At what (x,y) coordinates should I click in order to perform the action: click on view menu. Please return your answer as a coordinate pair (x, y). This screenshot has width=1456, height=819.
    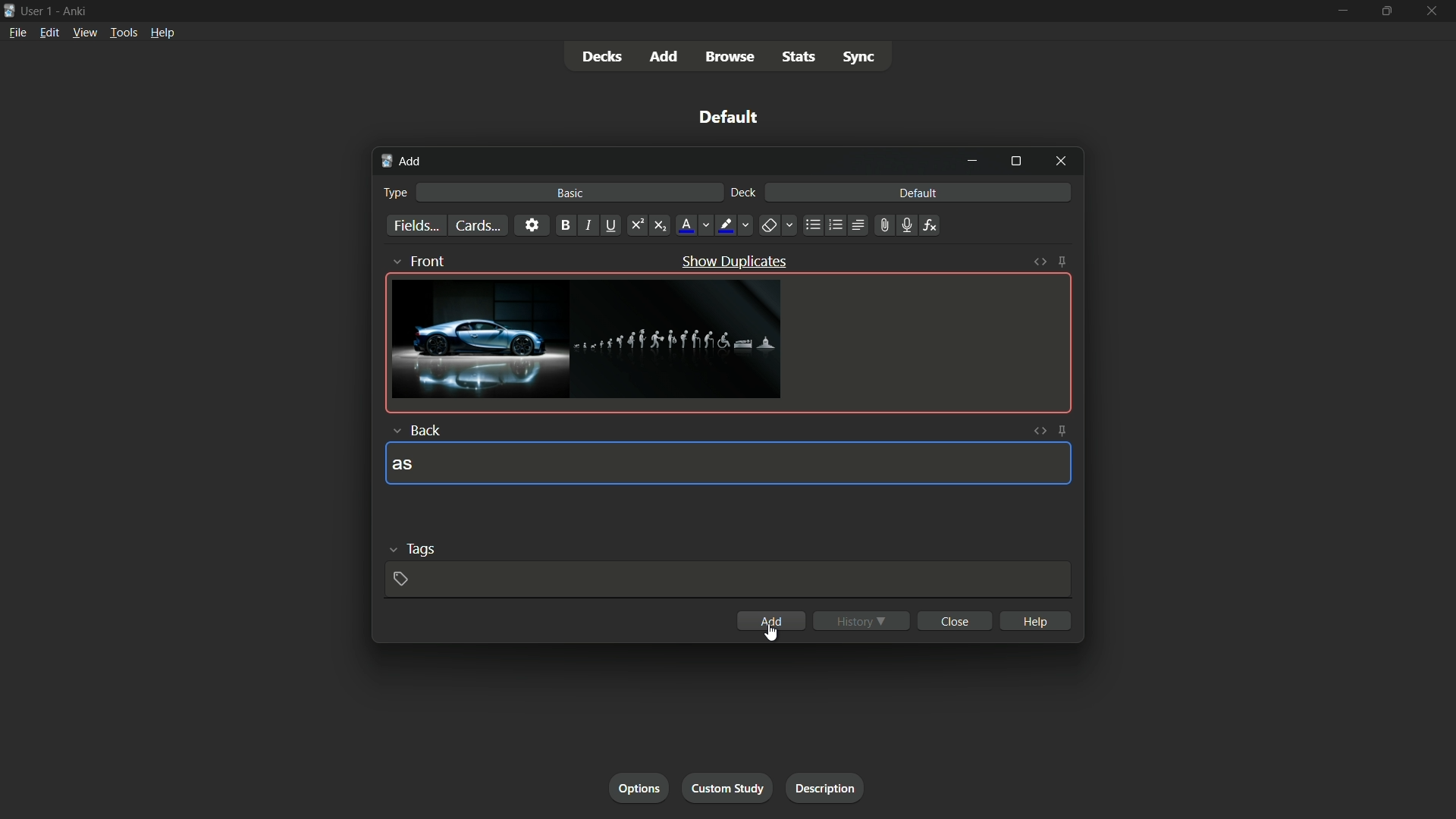
    Looking at the image, I should click on (84, 32).